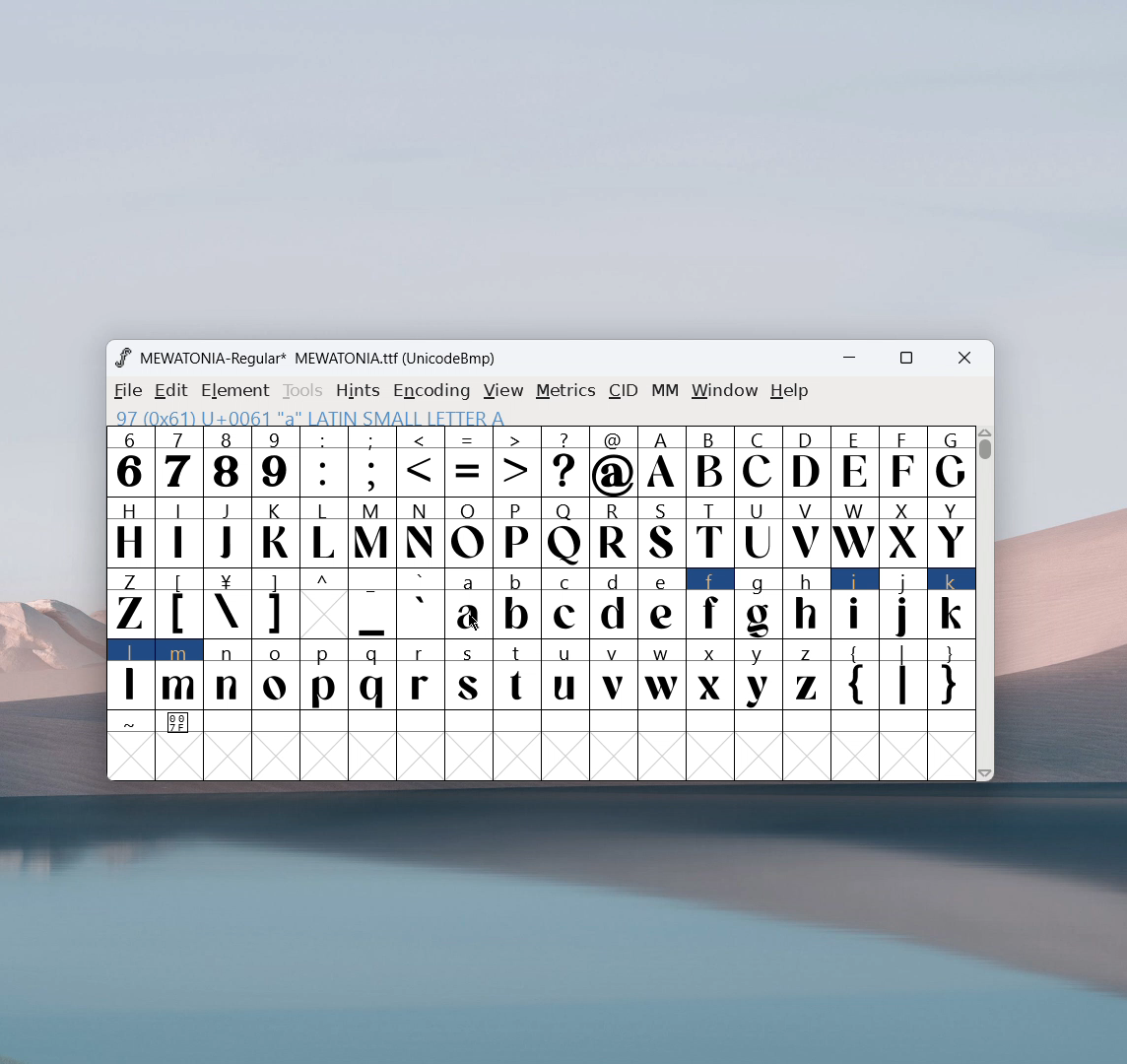 The image size is (1127, 1064). Describe the element at coordinates (122, 358) in the screenshot. I see `logo` at that location.